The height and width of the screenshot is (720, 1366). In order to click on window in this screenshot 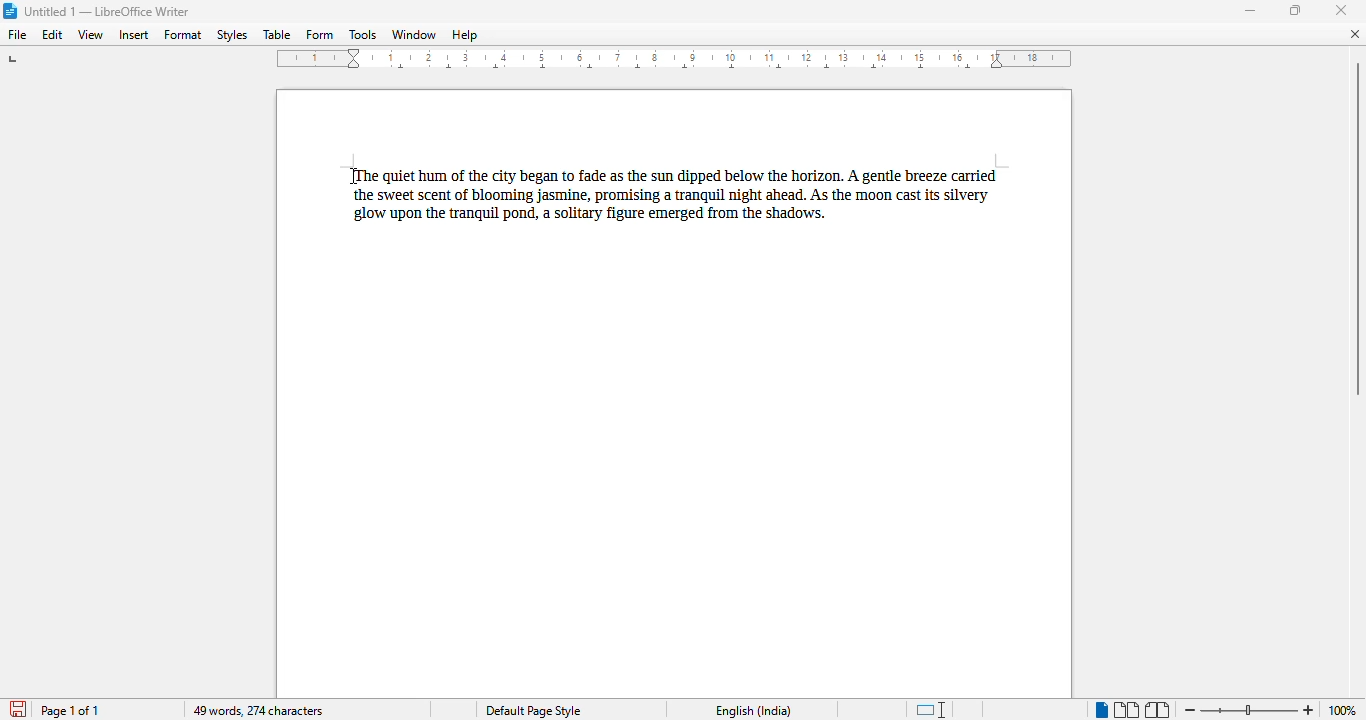, I will do `click(413, 34)`.